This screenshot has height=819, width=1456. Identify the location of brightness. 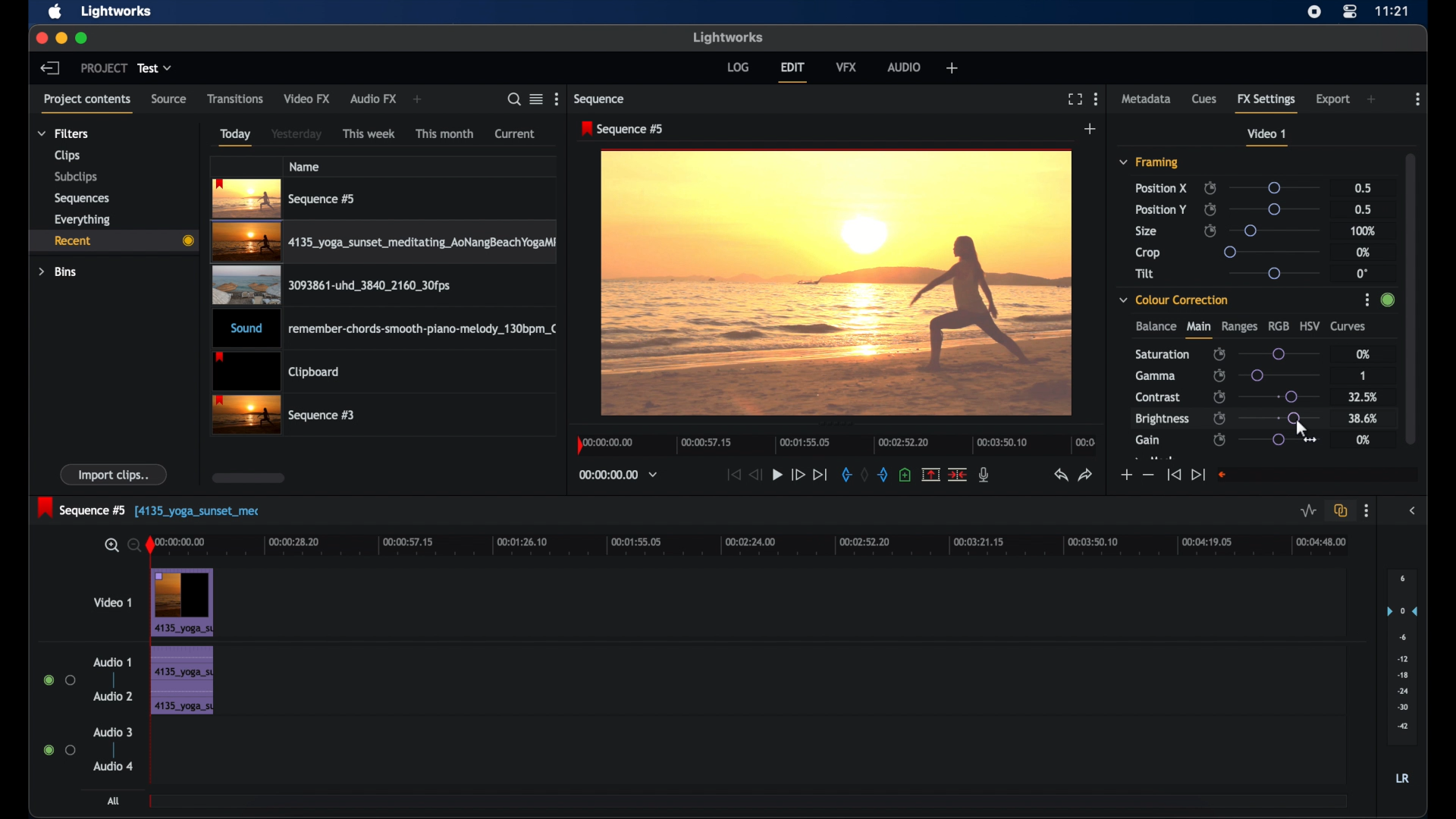
(1161, 419).